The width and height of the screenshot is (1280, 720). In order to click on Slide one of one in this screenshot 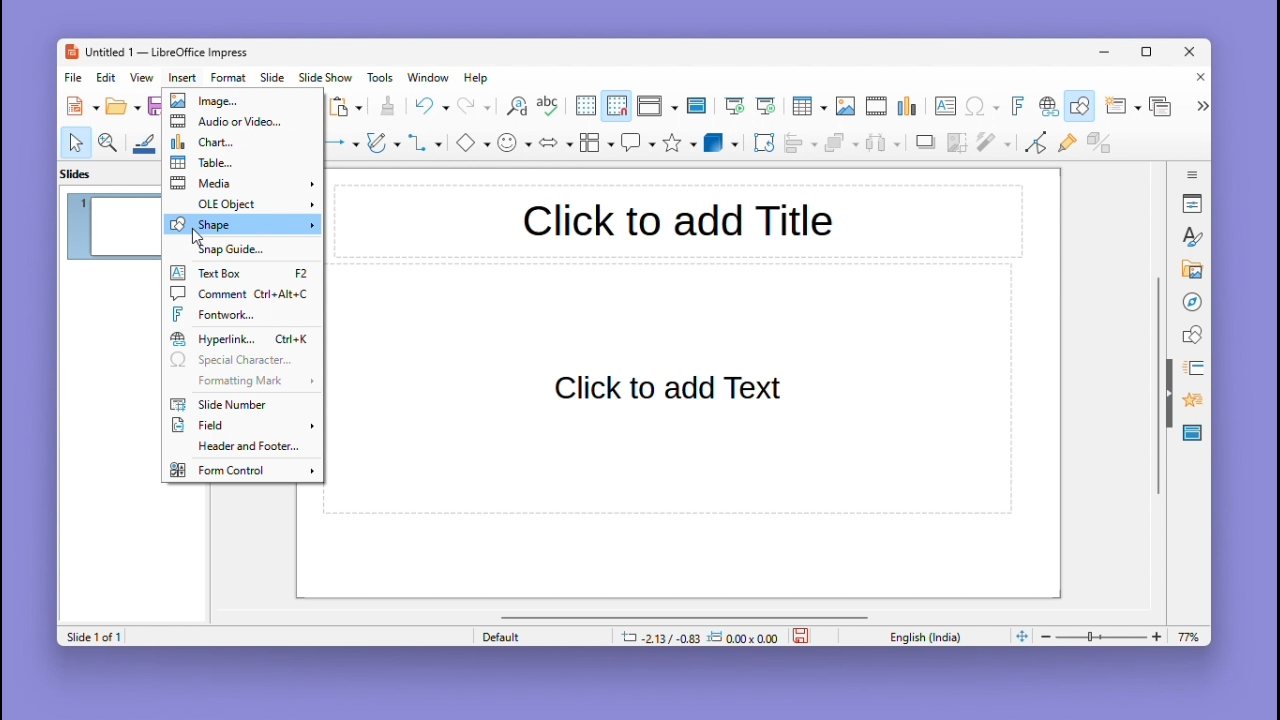, I will do `click(91, 637)`.